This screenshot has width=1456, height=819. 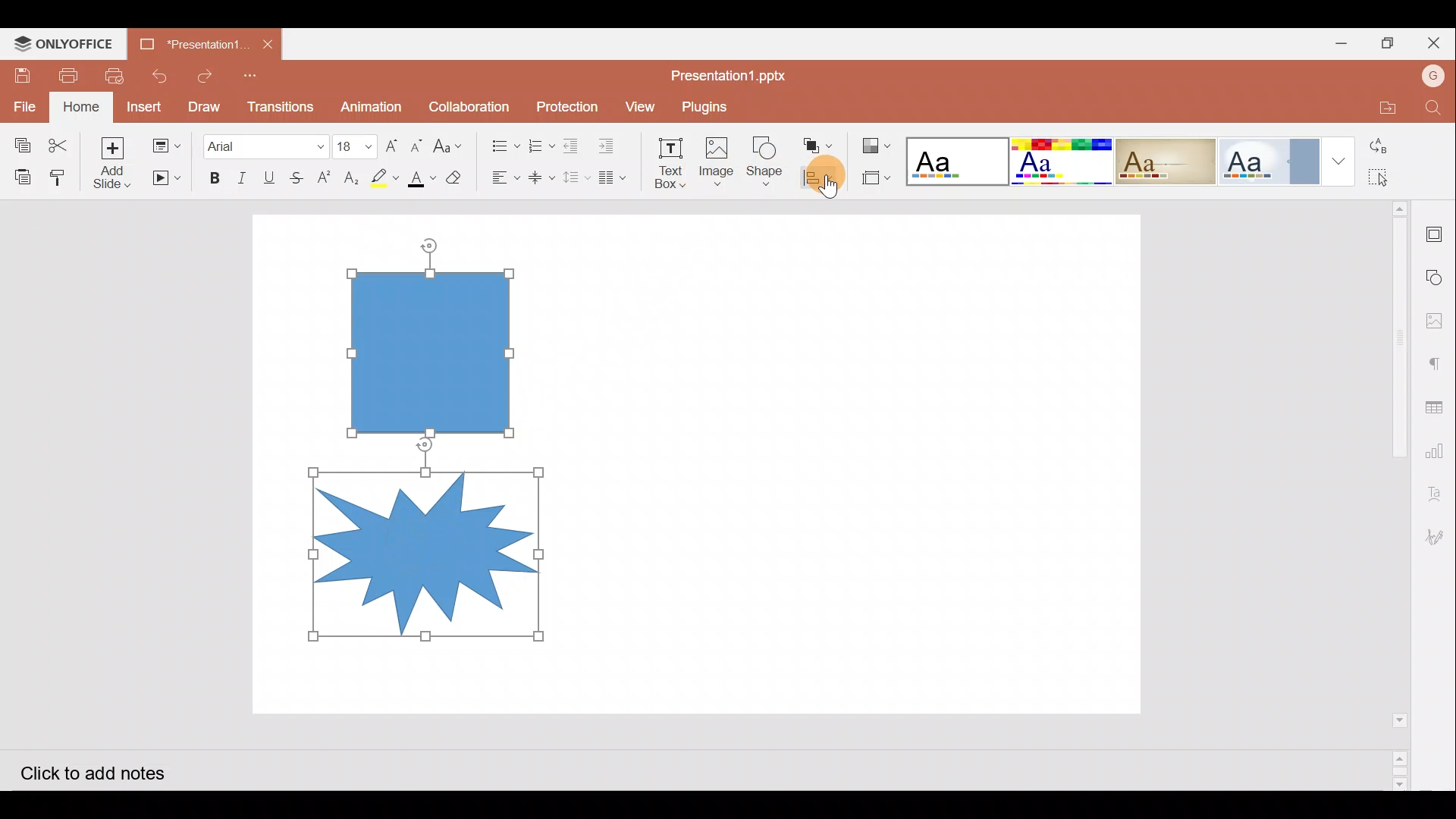 What do you see at coordinates (1439, 535) in the screenshot?
I see `Signature settings` at bounding box center [1439, 535].